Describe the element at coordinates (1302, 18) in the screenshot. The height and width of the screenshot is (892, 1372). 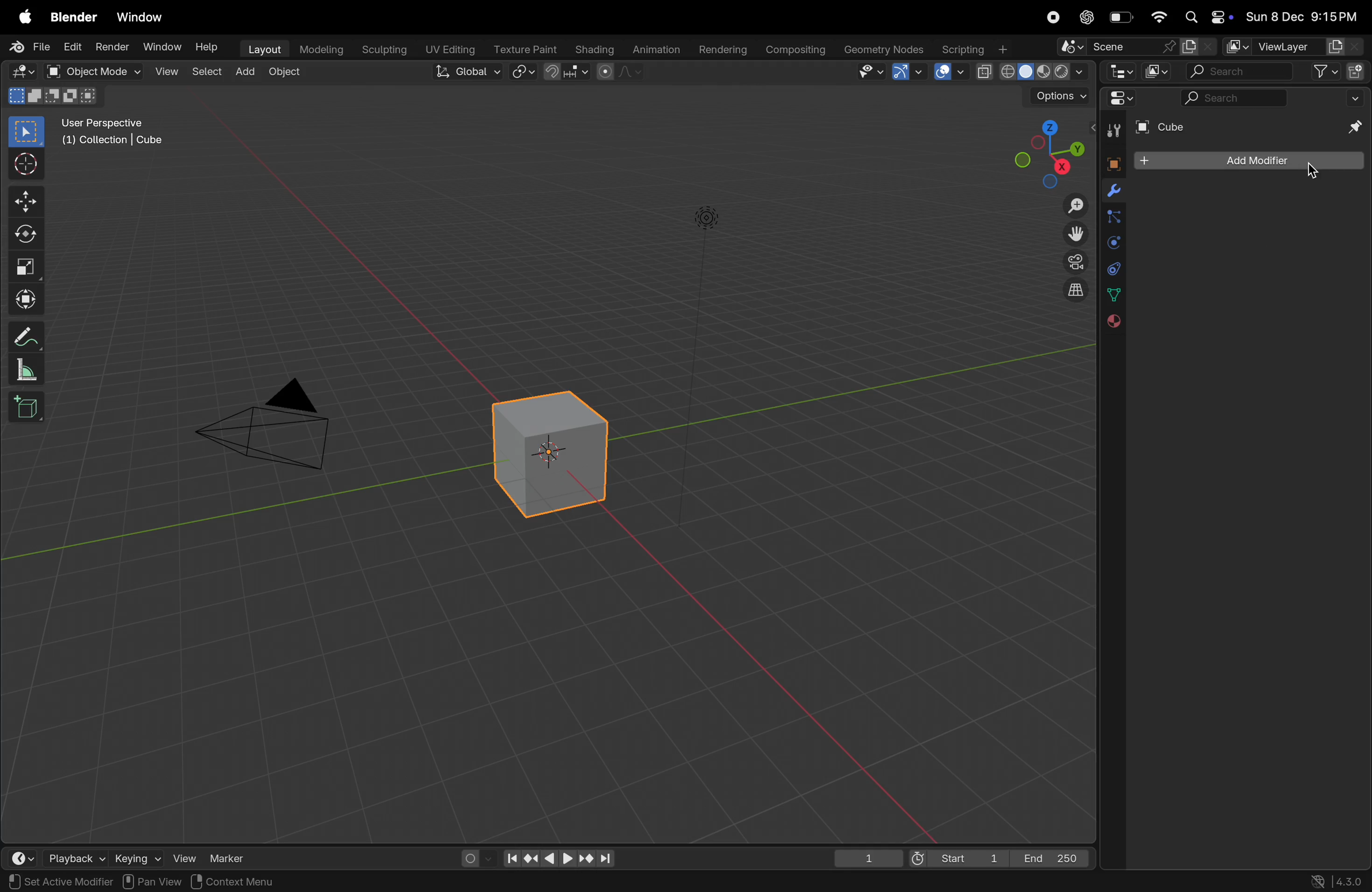
I see `date and time` at that location.